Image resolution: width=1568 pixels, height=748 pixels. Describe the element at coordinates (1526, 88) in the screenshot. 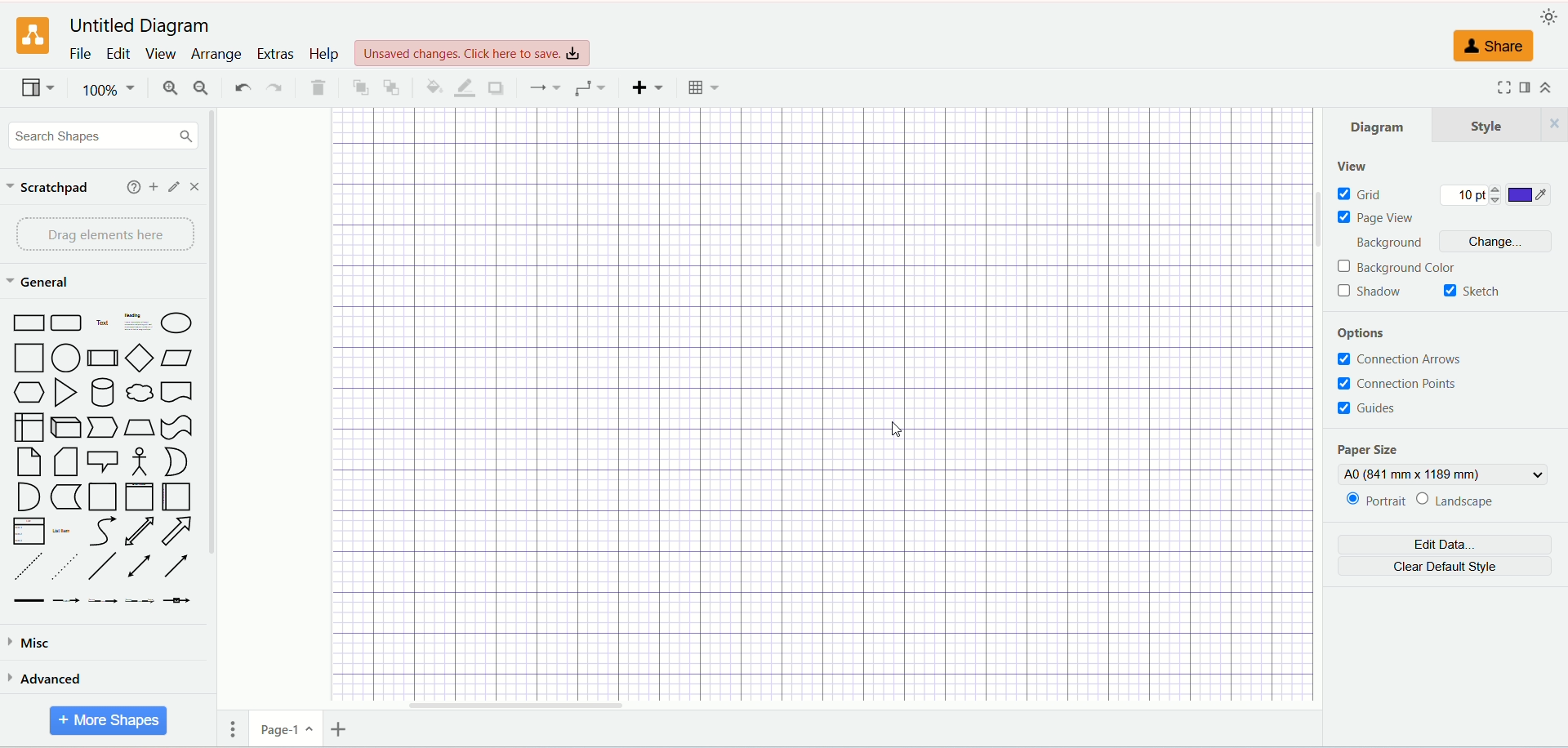

I see `format` at that location.